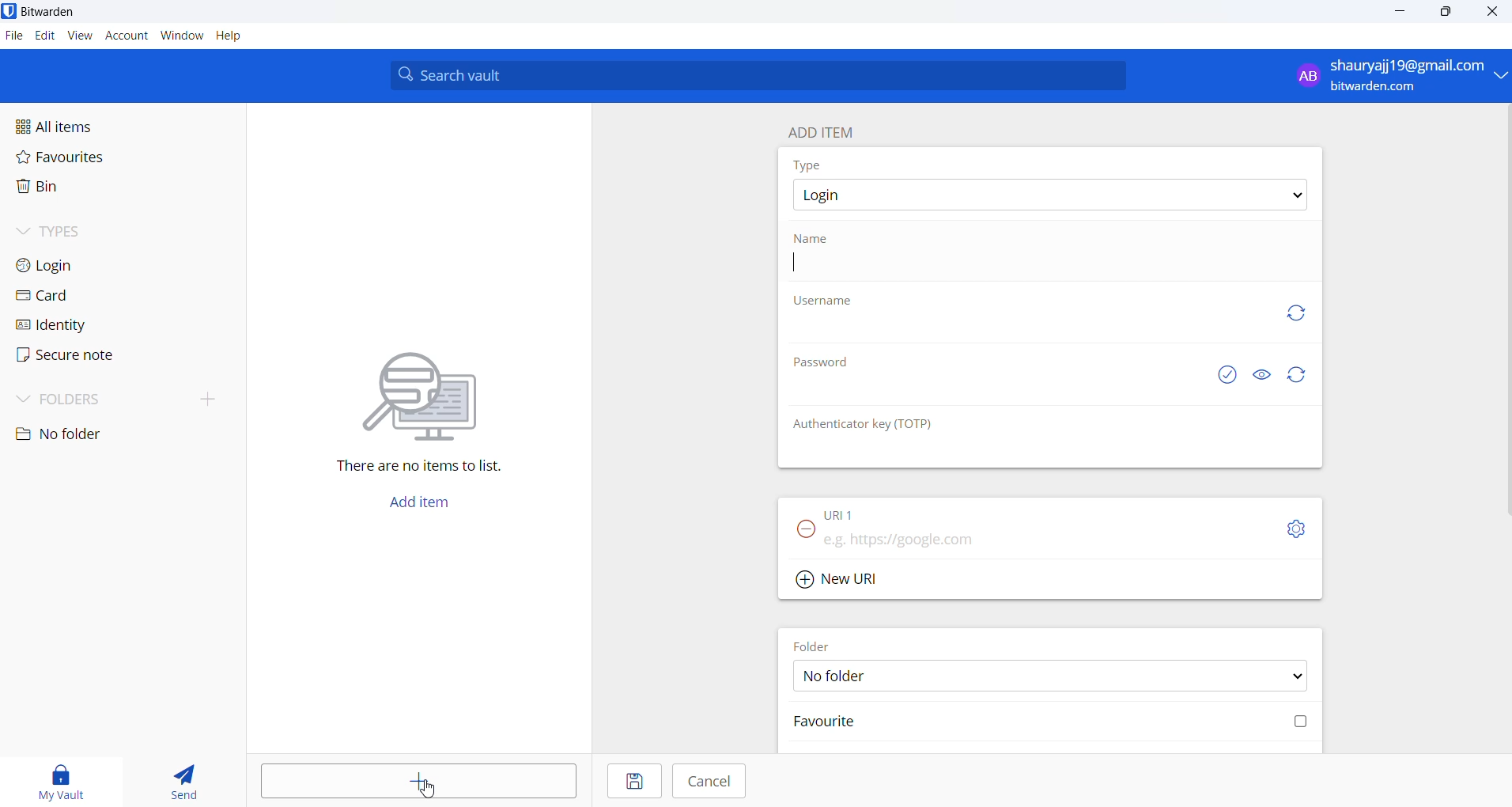 Image resolution: width=1512 pixels, height=807 pixels. Describe the element at coordinates (88, 162) in the screenshot. I see `favourites` at that location.